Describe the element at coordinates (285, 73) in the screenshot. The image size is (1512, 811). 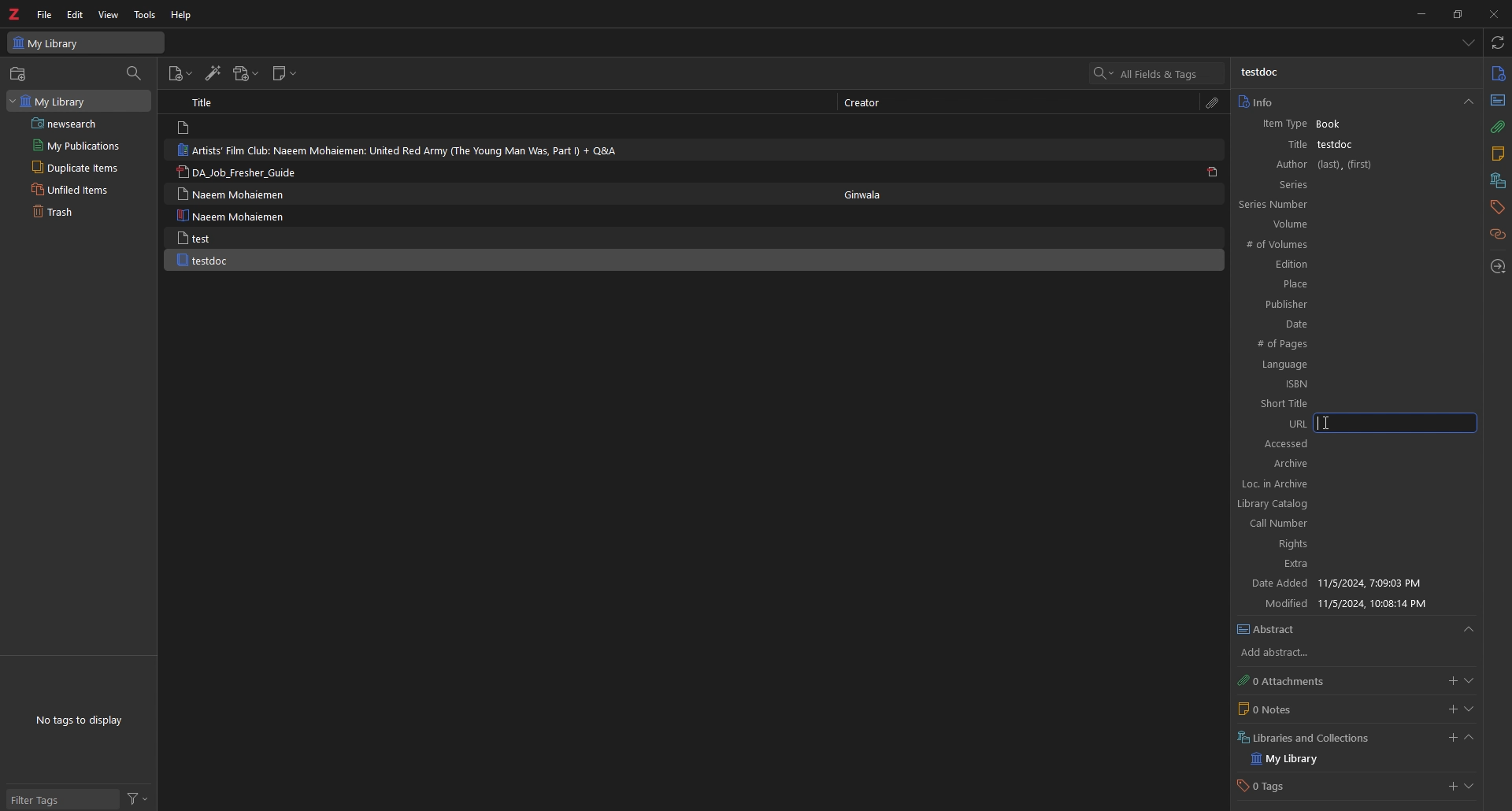
I see `new note` at that location.